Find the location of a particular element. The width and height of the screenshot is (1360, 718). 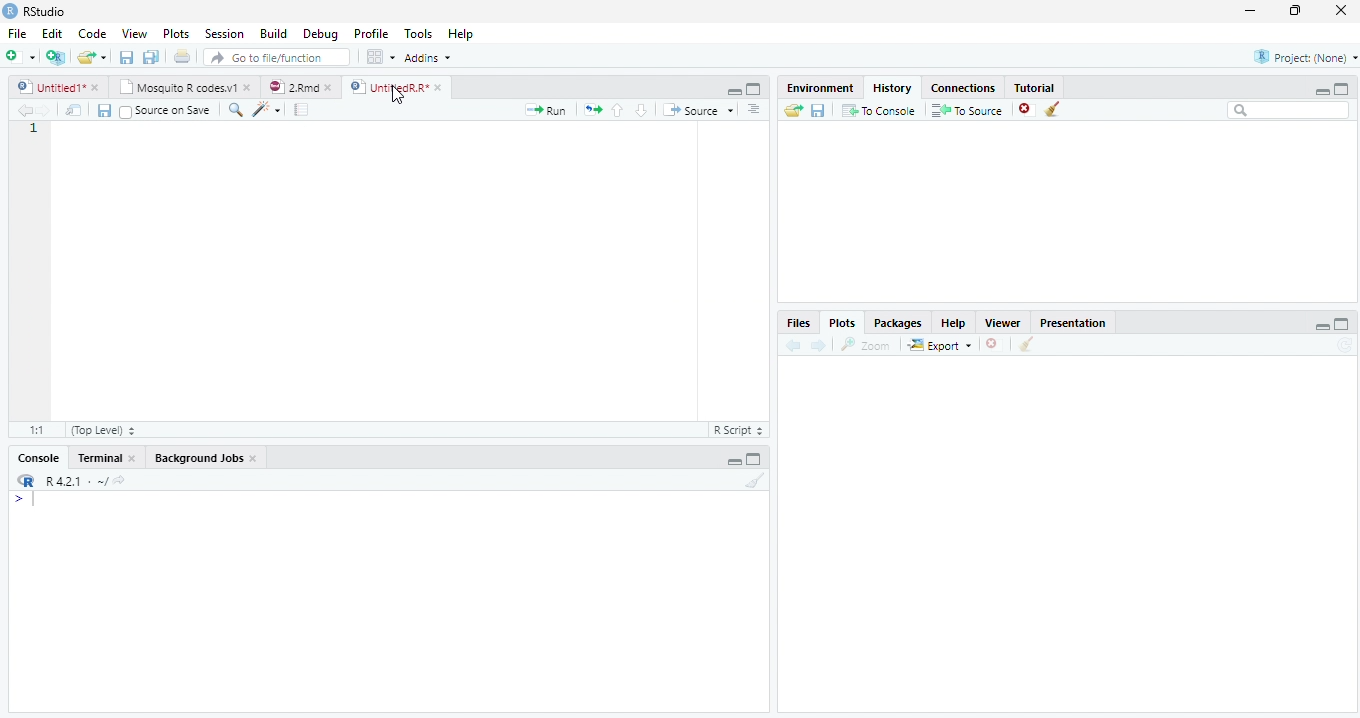

Build is located at coordinates (275, 34).